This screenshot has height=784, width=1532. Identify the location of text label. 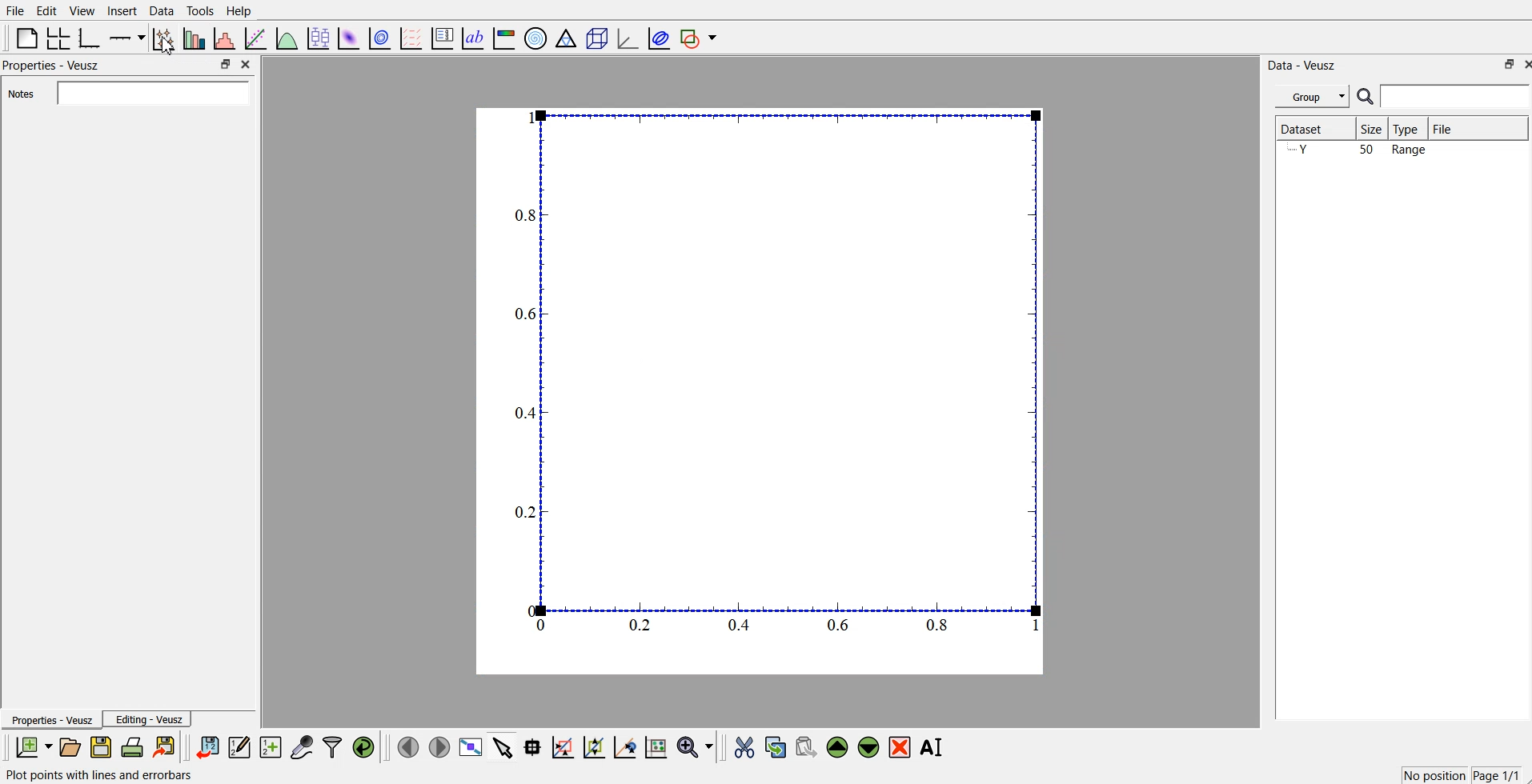
(473, 37).